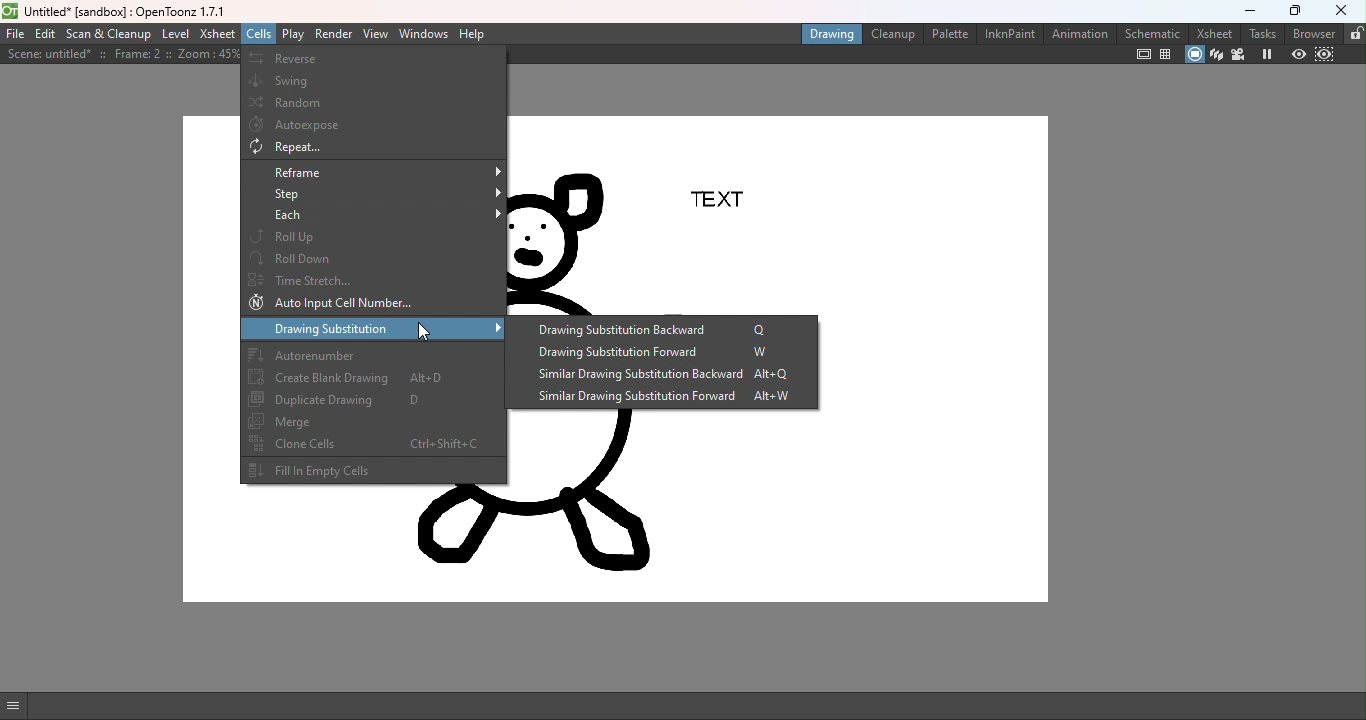 This screenshot has width=1366, height=720. What do you see at coordinates (1290, 11) in the screenshot?
I see `maximize` at bounding box center [1290, 11].